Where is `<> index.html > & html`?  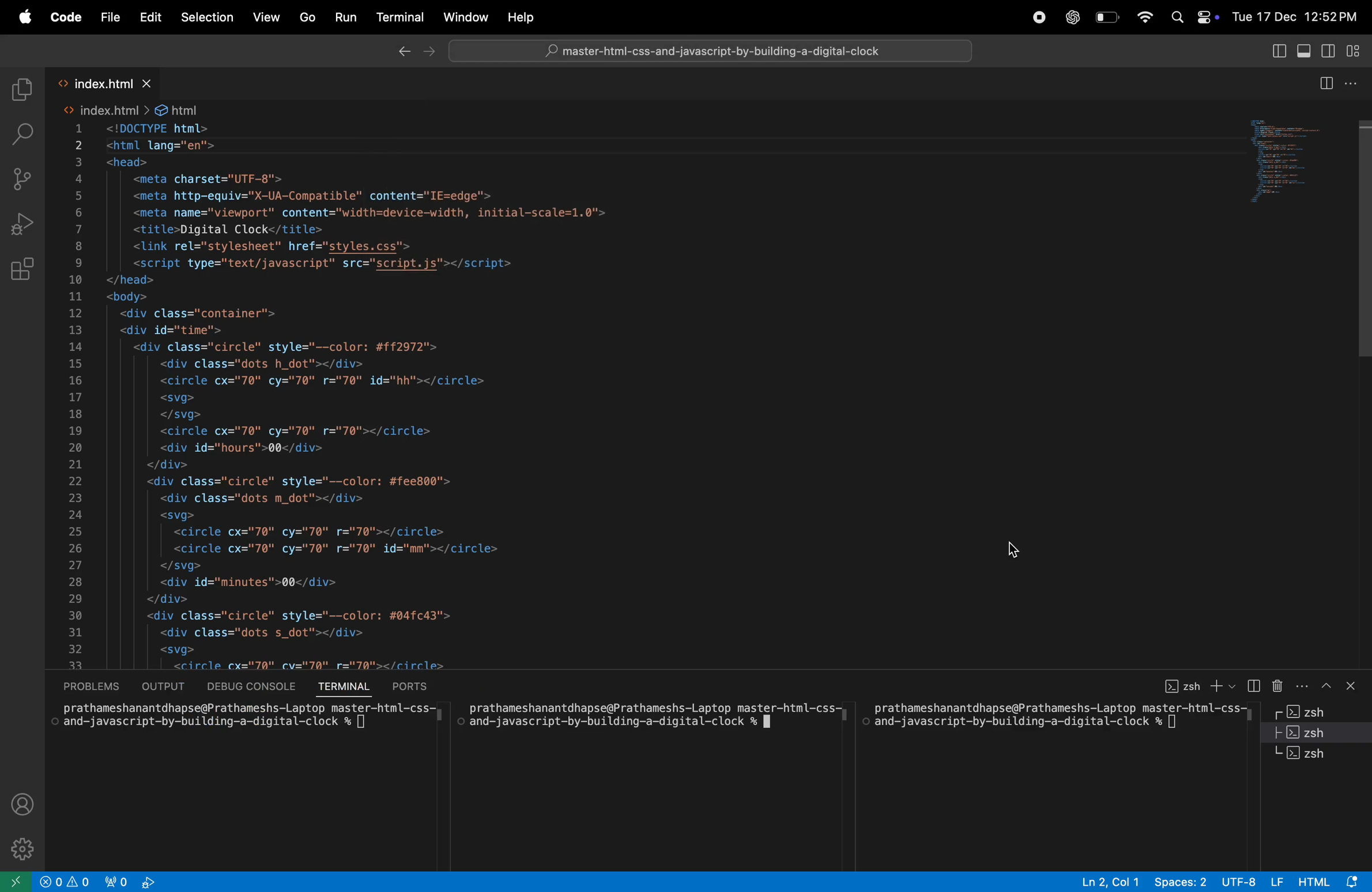
<> index.html > & html is located at coordinates (129, 110).